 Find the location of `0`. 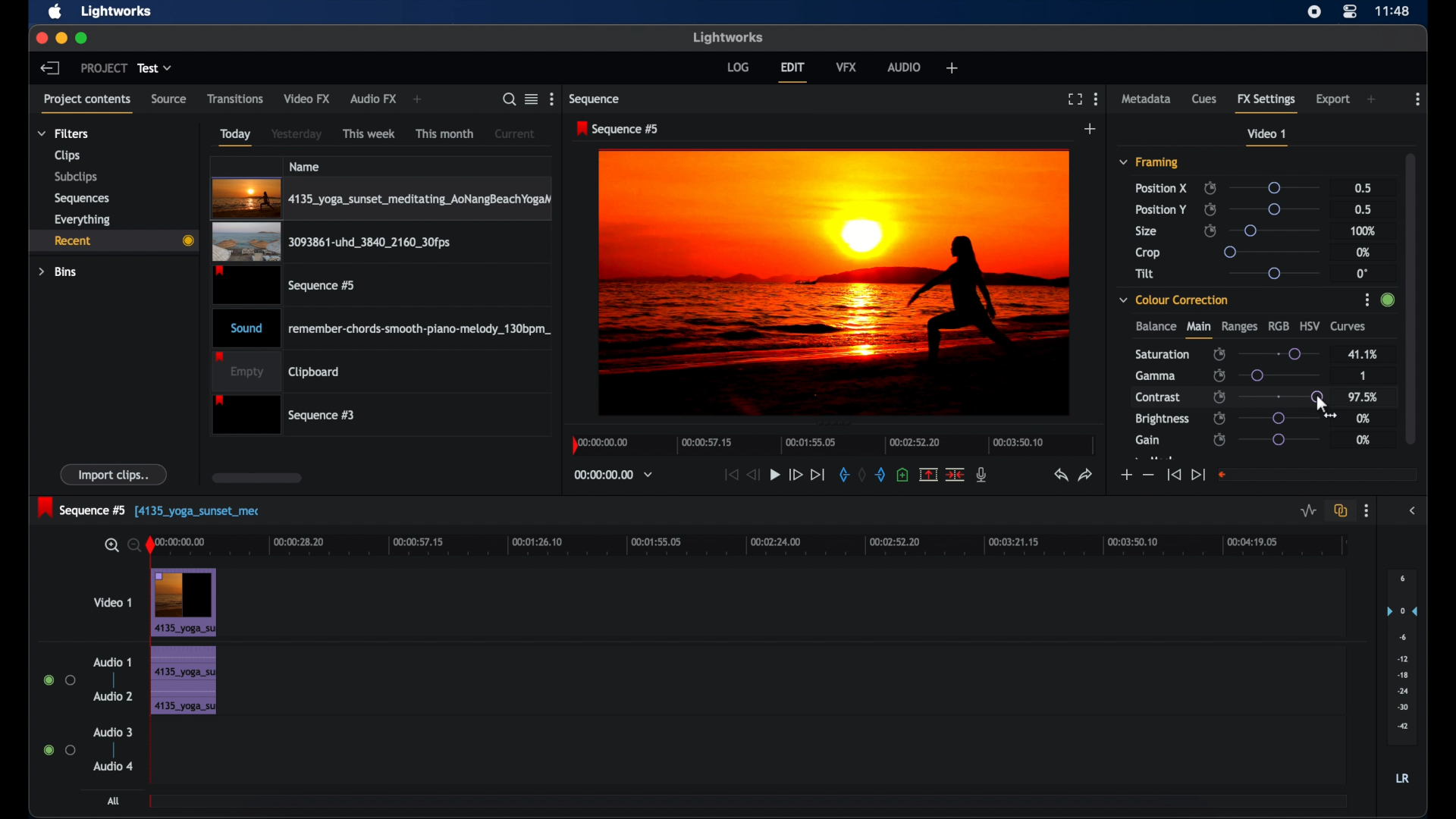

0 is located at coordinates (1362, 273).